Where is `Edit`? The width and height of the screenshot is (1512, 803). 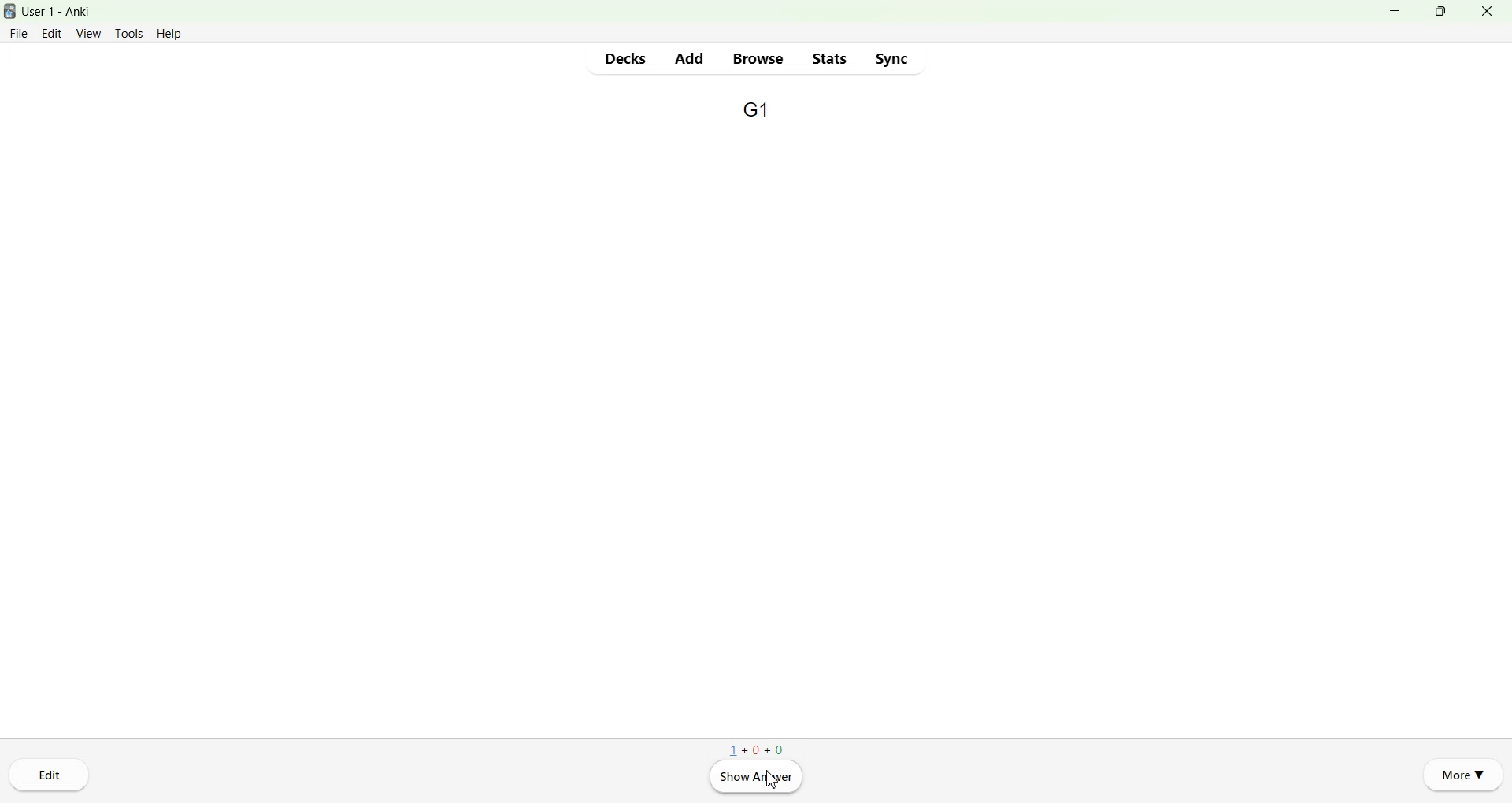 Edit is located at coordinates (50, 775).